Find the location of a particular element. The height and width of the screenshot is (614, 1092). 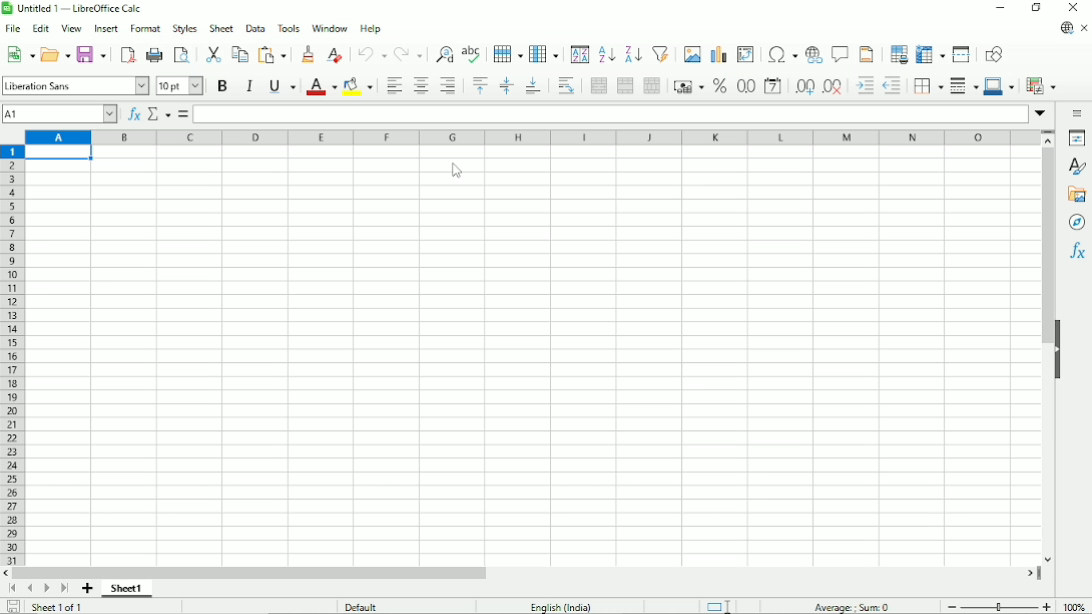

Redo is located at coordinates (407, 53).